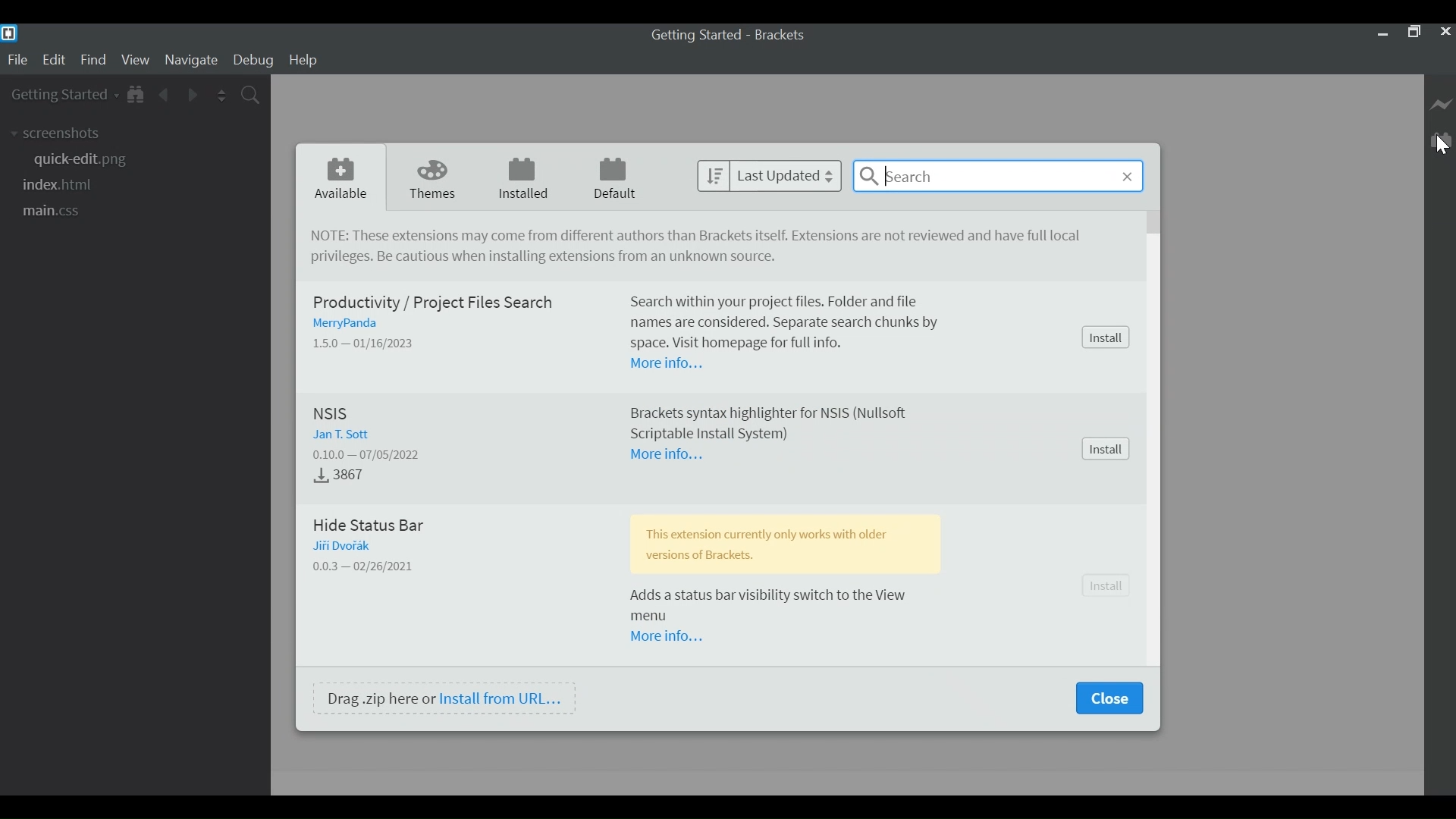 This screenshot has height=819, width=1456. What do you see at coordinates (135, 61) in the screenshot?
I see `View` at bounding box center [135, 61].